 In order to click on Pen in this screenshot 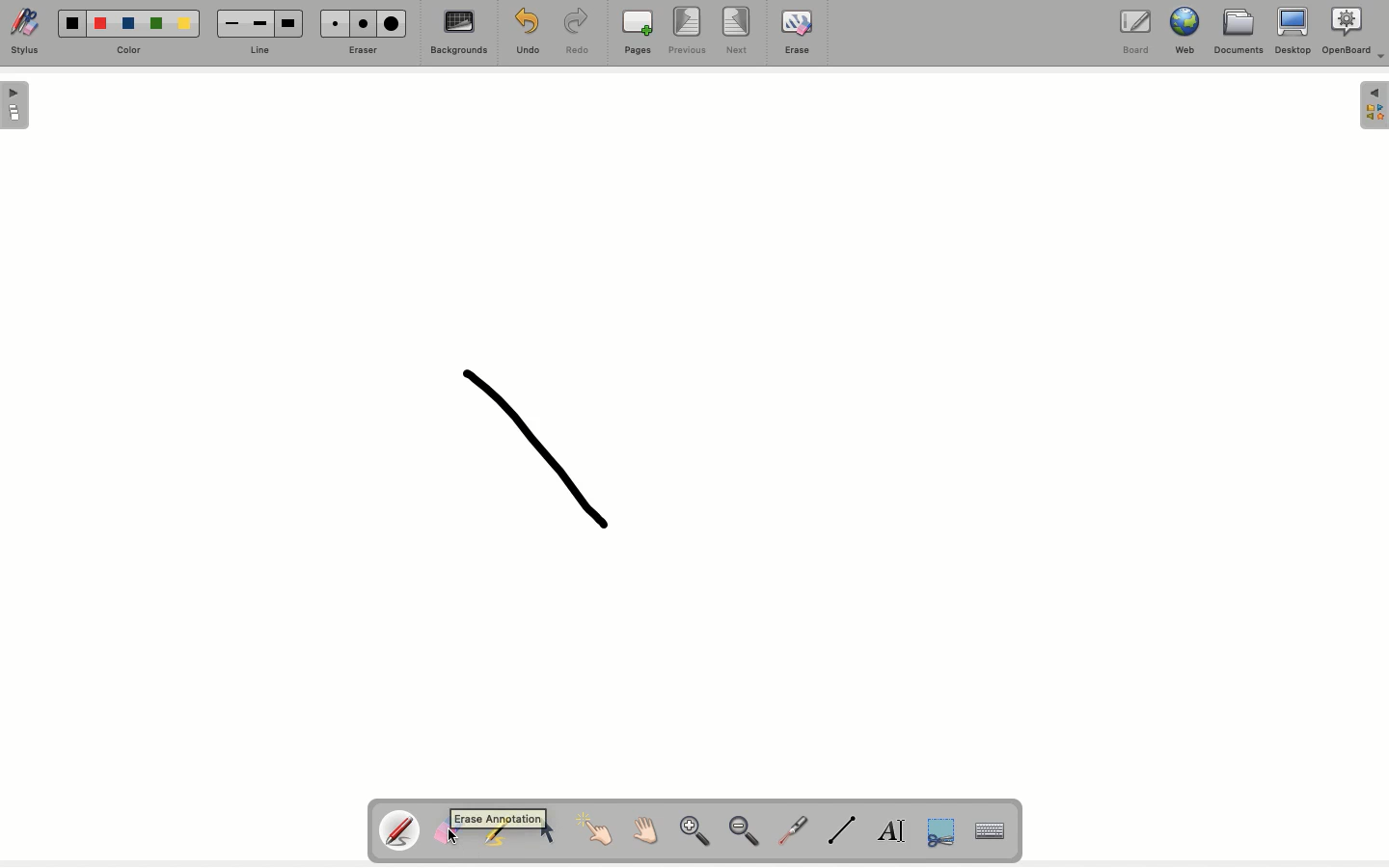, I will do `click(401, 829)`.